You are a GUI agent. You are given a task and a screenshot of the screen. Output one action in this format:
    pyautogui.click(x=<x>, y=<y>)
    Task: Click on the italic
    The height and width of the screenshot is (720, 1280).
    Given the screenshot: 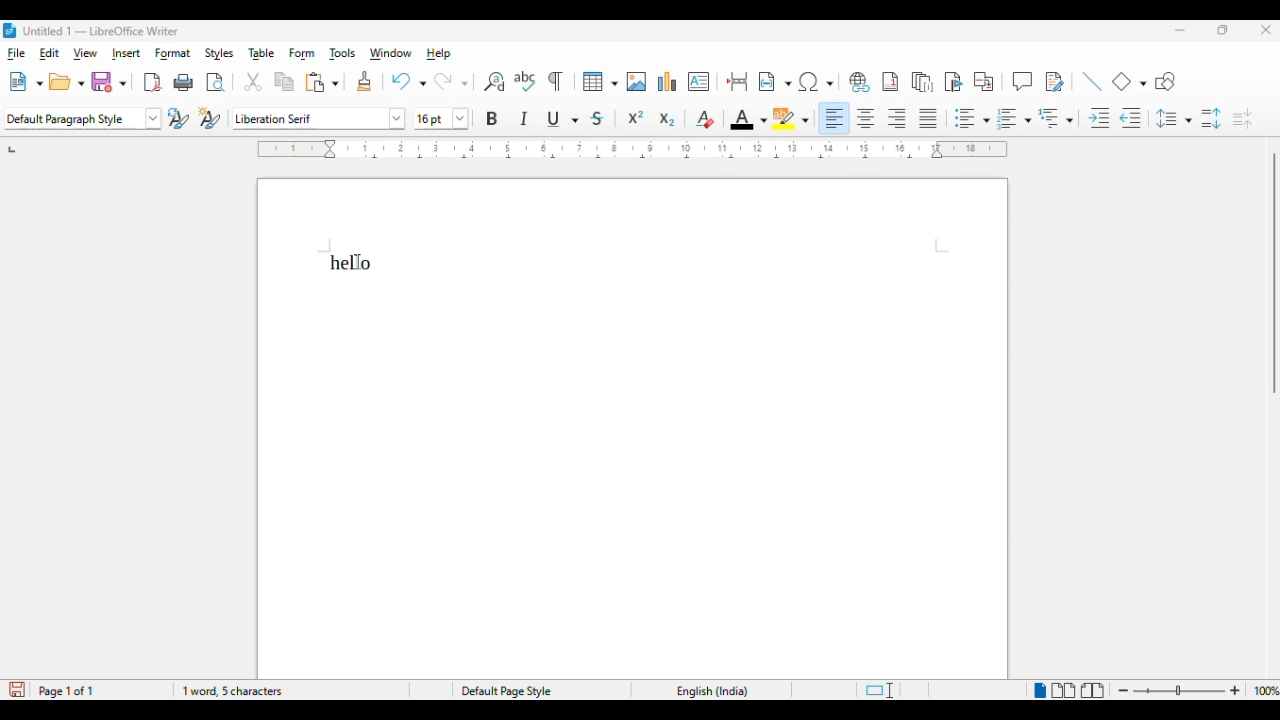 What is the action you would take?
    pyautogui.click(x=524, y=117)
    